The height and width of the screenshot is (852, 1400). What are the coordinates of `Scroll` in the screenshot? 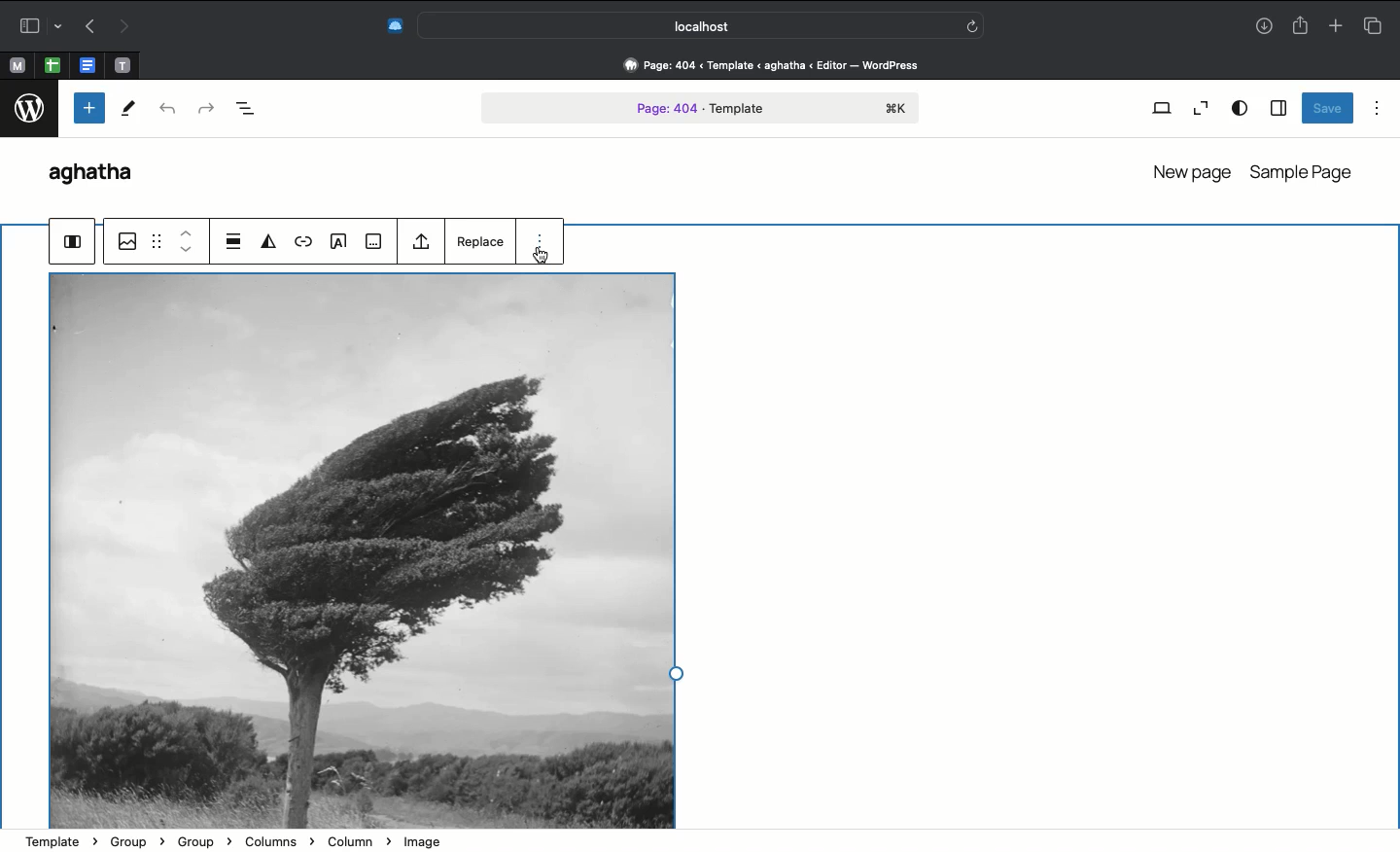 It's located at (1391, 333).